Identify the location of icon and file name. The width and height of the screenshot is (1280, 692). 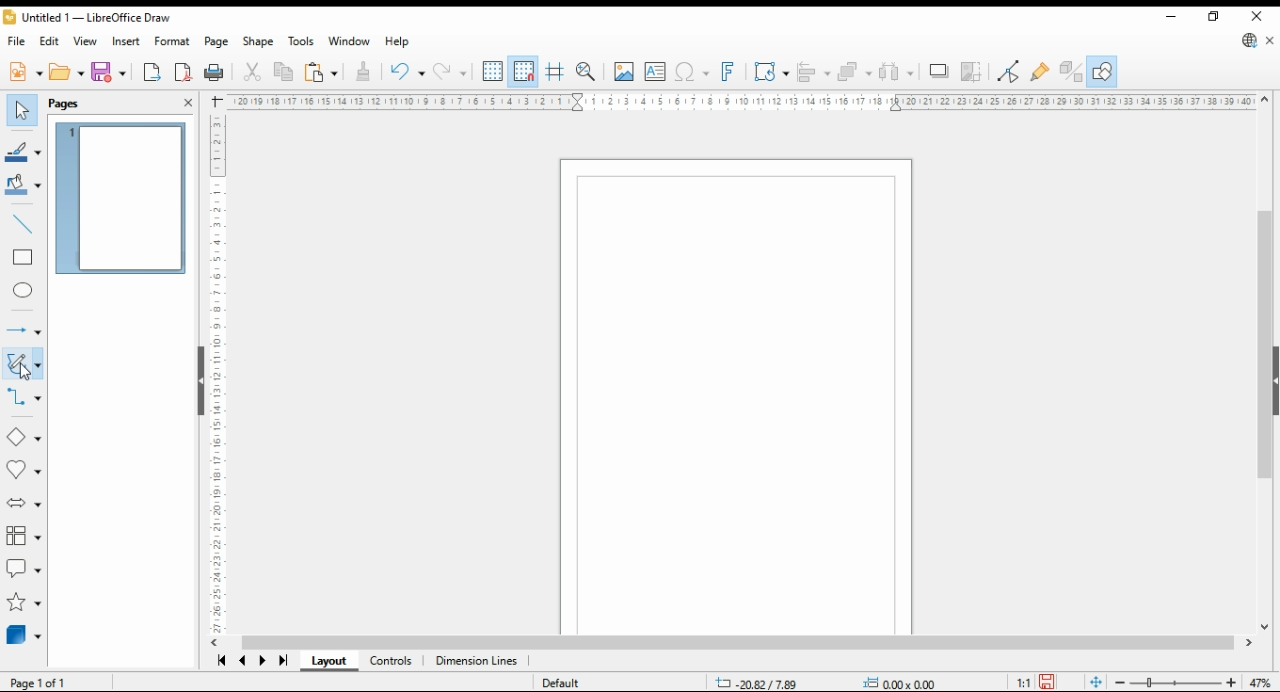
(88, 17).